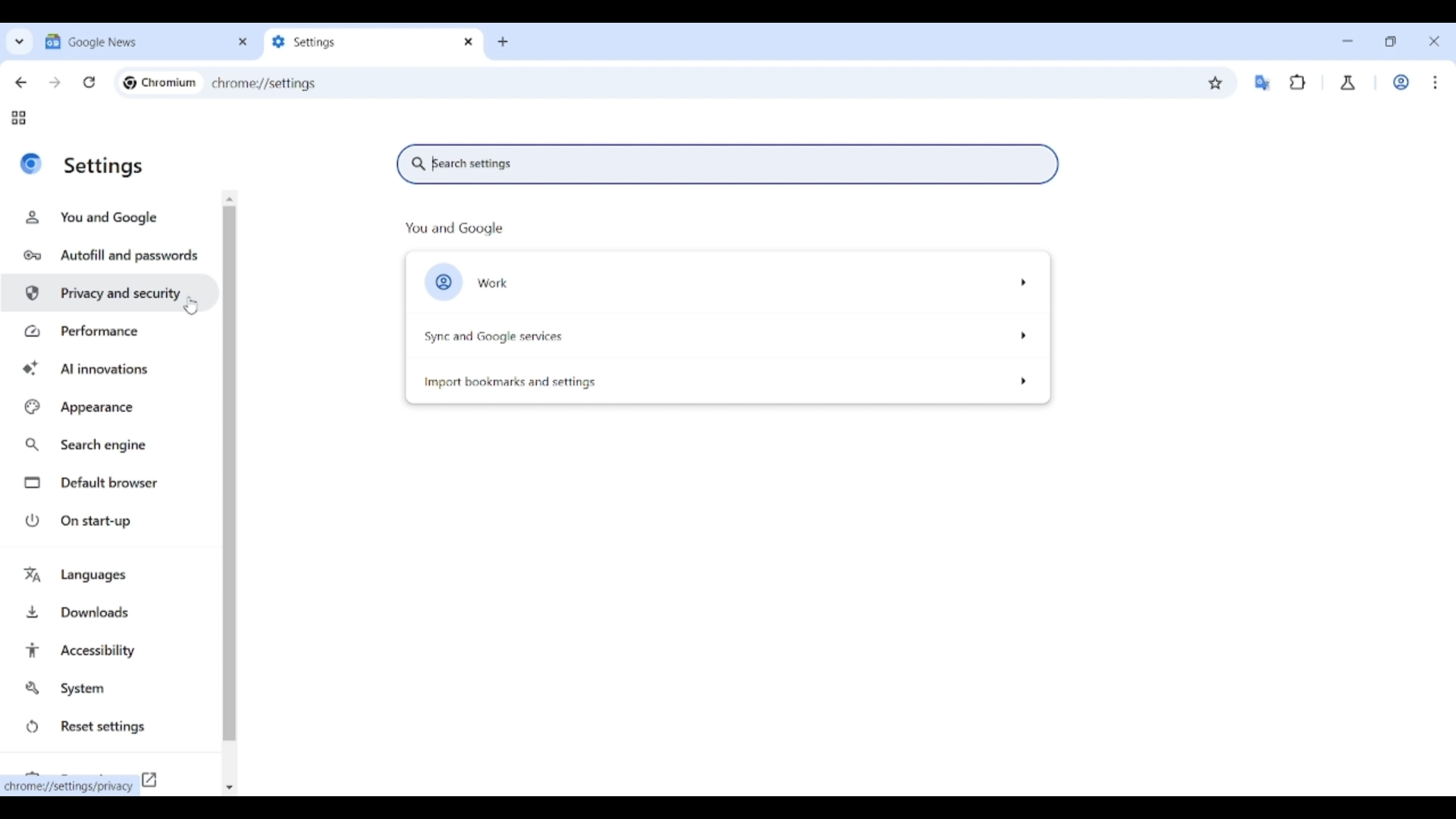  Describe the element at coordinates (1390, 42) in the screenshot. I see `Show interface in a smaller tab` at that location.